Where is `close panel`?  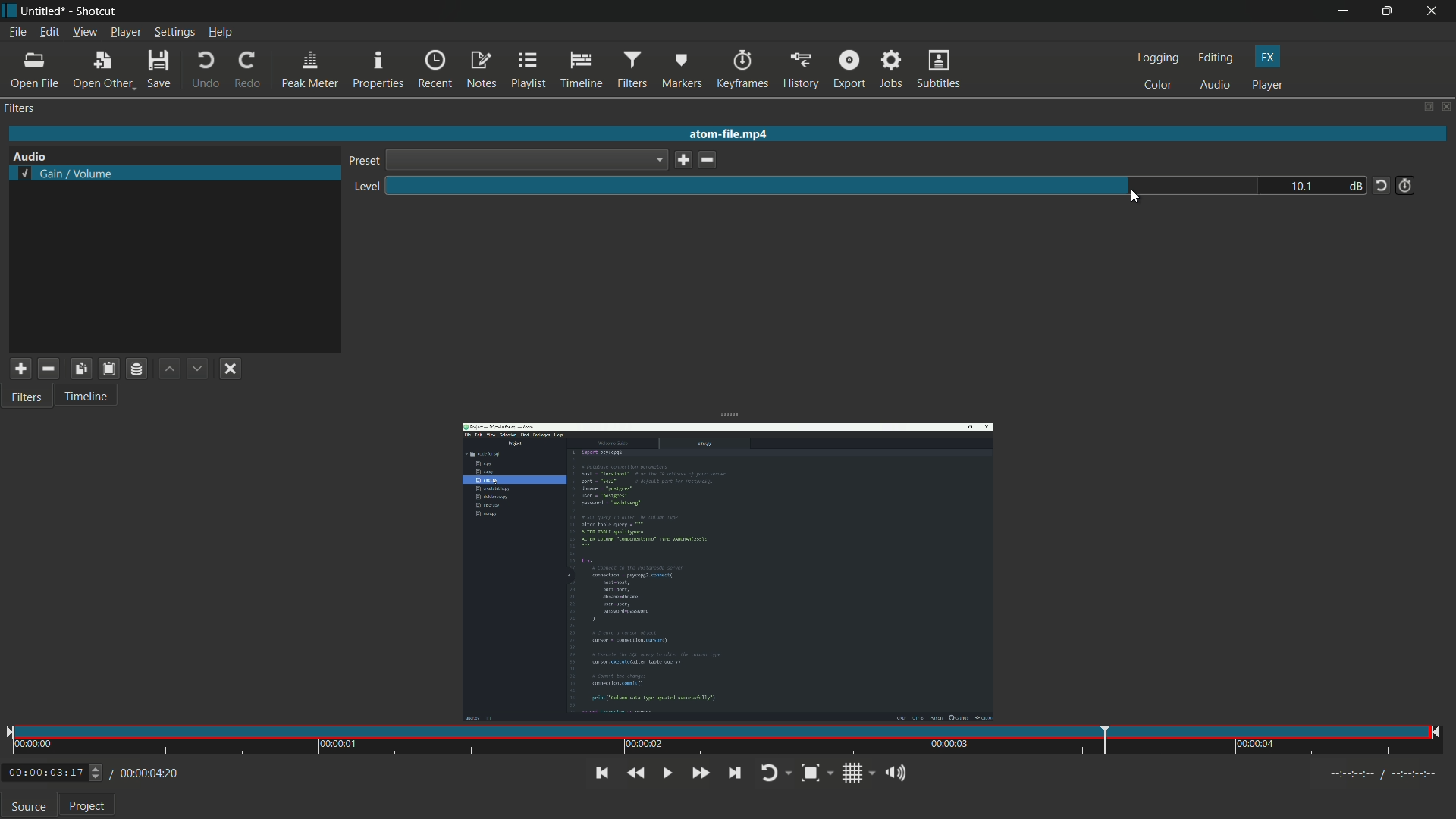
close panel is located at coordinates (1445, 106).